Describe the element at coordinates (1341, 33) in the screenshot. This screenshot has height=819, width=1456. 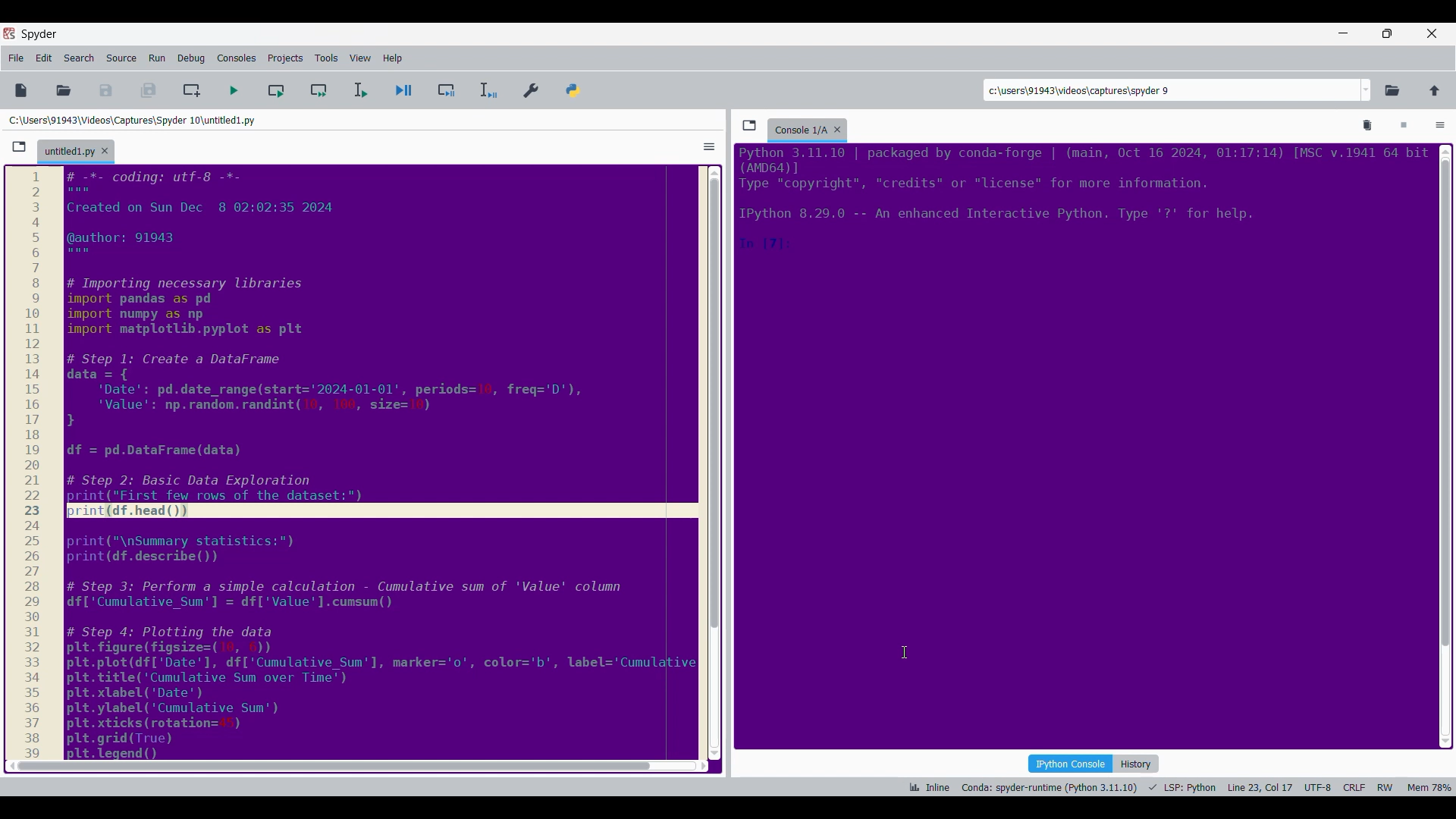
I see `Minimize` at that location.